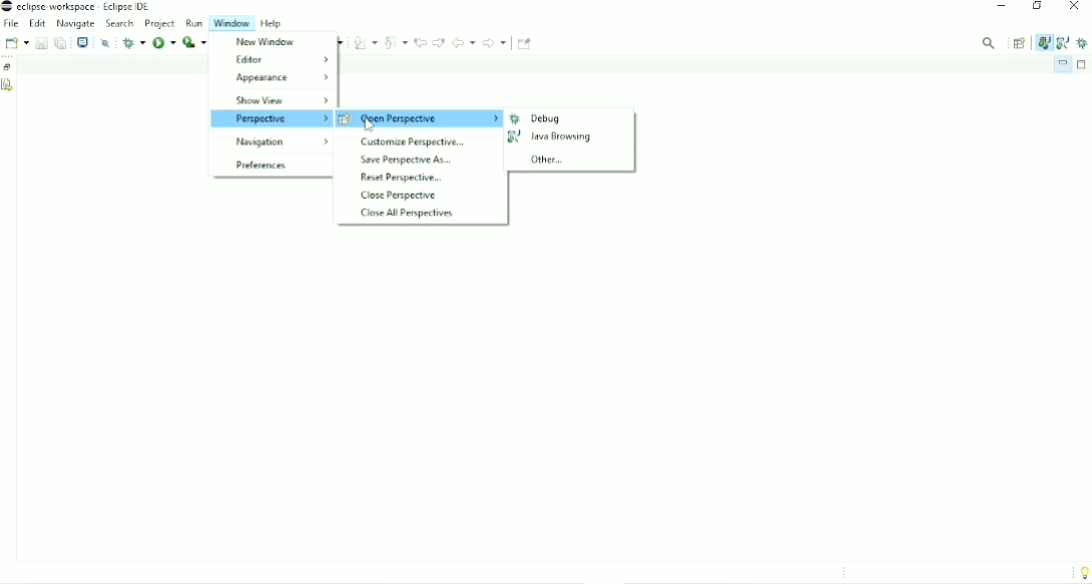 The height and width of the screenshot is (584, 1092). What do you see at coordinates (1063, 42) in the screenshot?
I see `Java Browsing` at bounding box center [1063, 42].